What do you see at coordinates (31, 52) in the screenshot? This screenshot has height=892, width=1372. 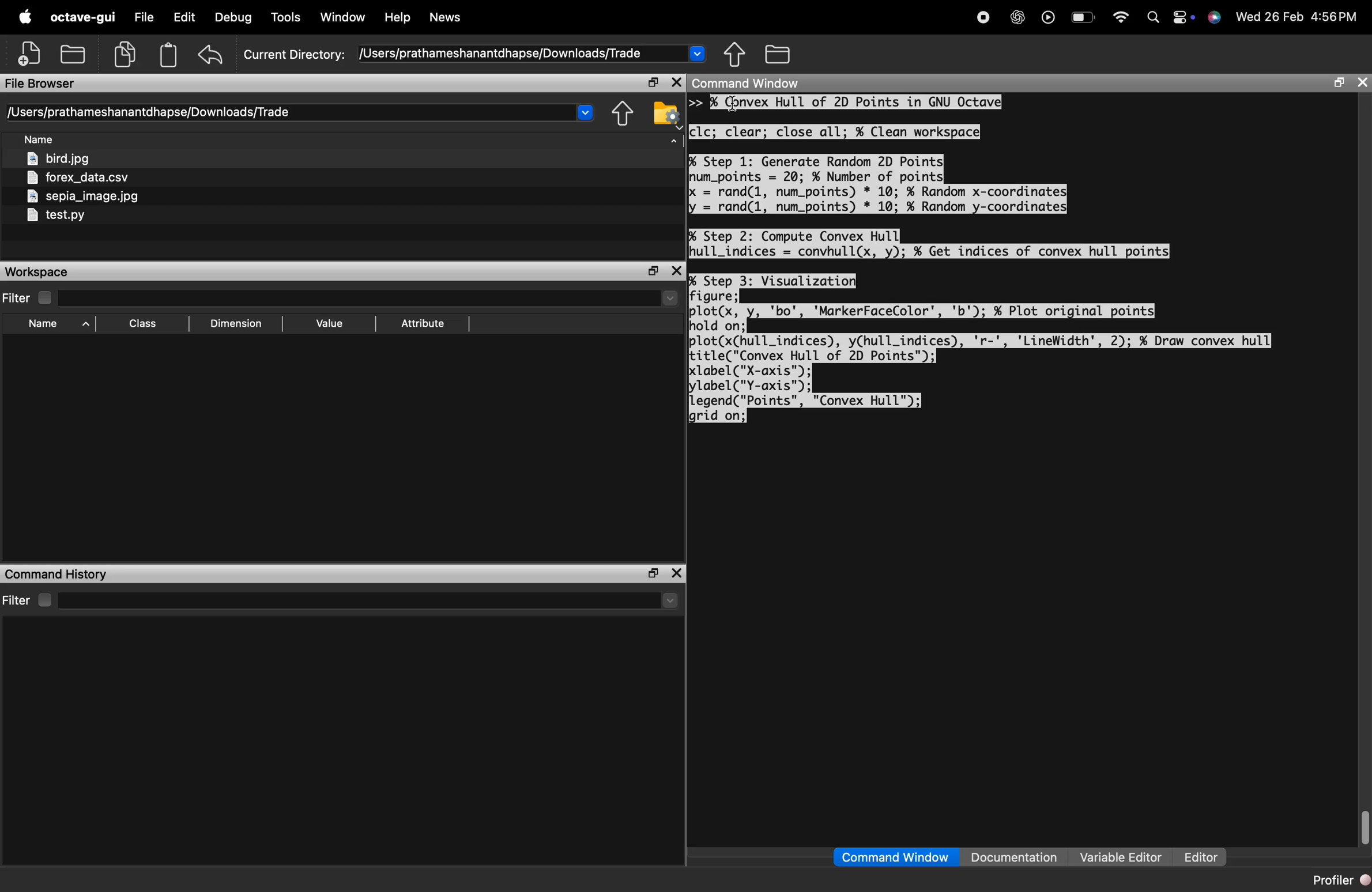 I see `add file` at bounding box center [31, 52].